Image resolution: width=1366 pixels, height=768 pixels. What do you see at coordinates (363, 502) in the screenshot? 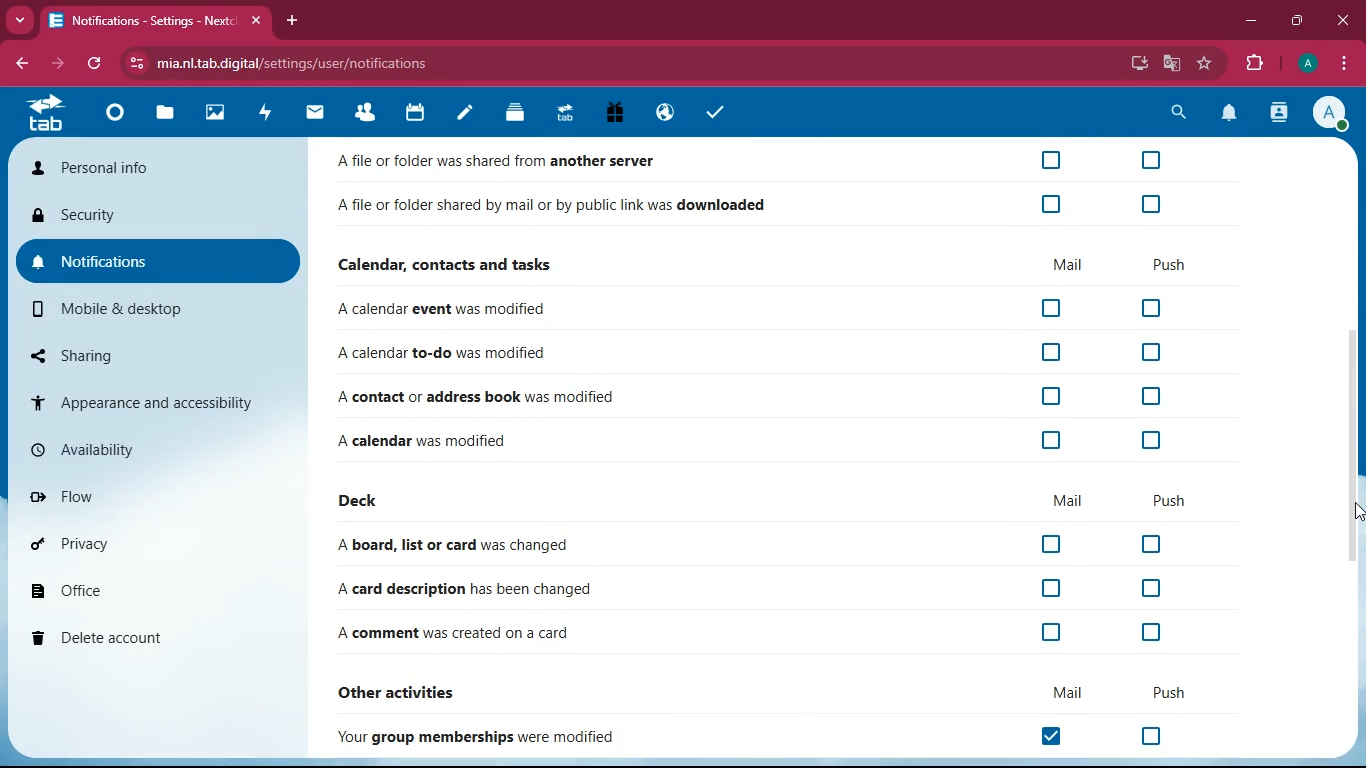
I see `deck` at bounding box center [363, 502].